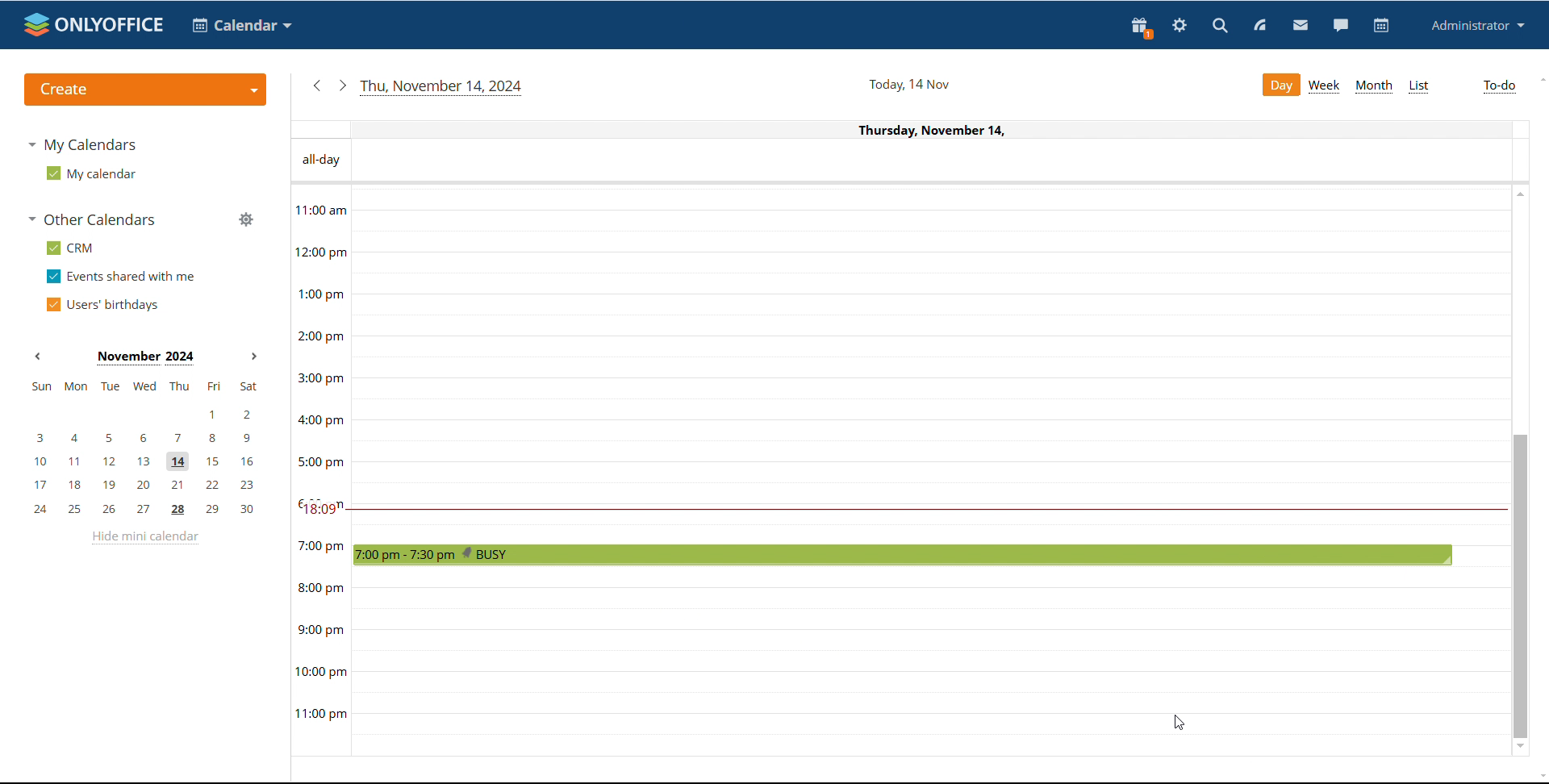 Image resolution: width=1549 pixels, height=784 pixels. Describe the element at coordinates (92, 219) in the screenshot. I see `other calendars` at that location.